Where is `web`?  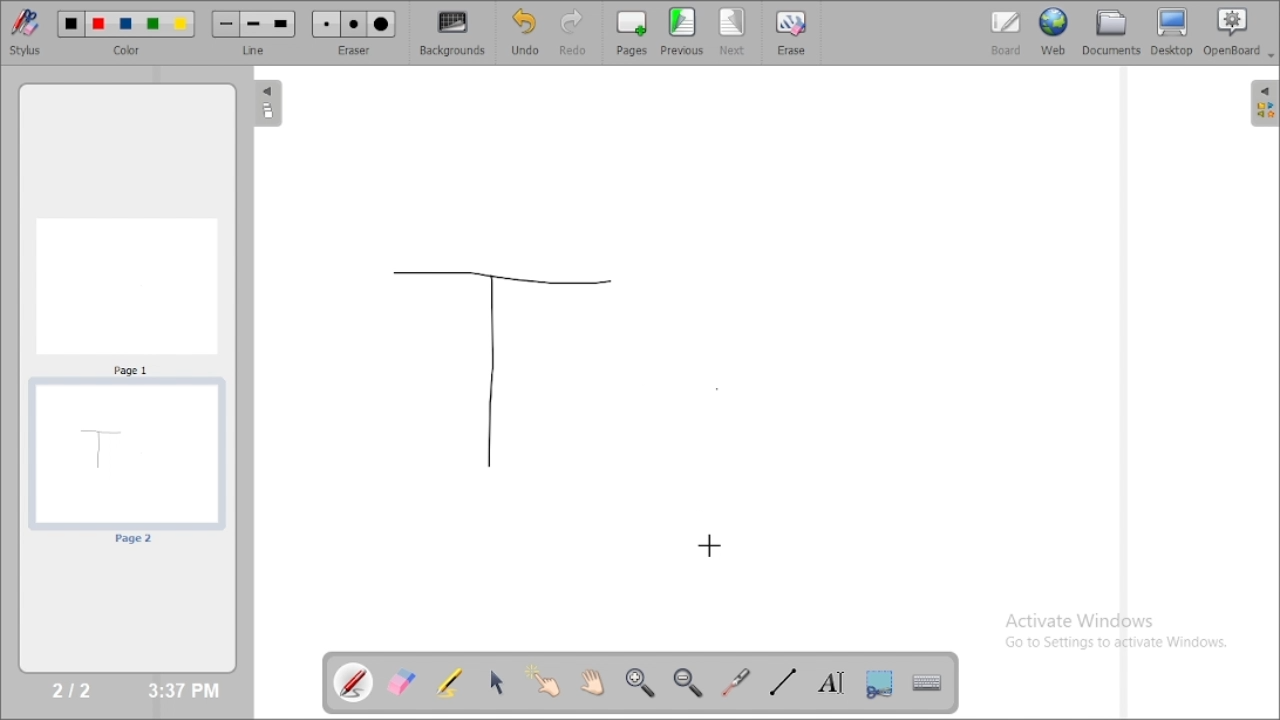 web is located at coordinates (1054, 31).